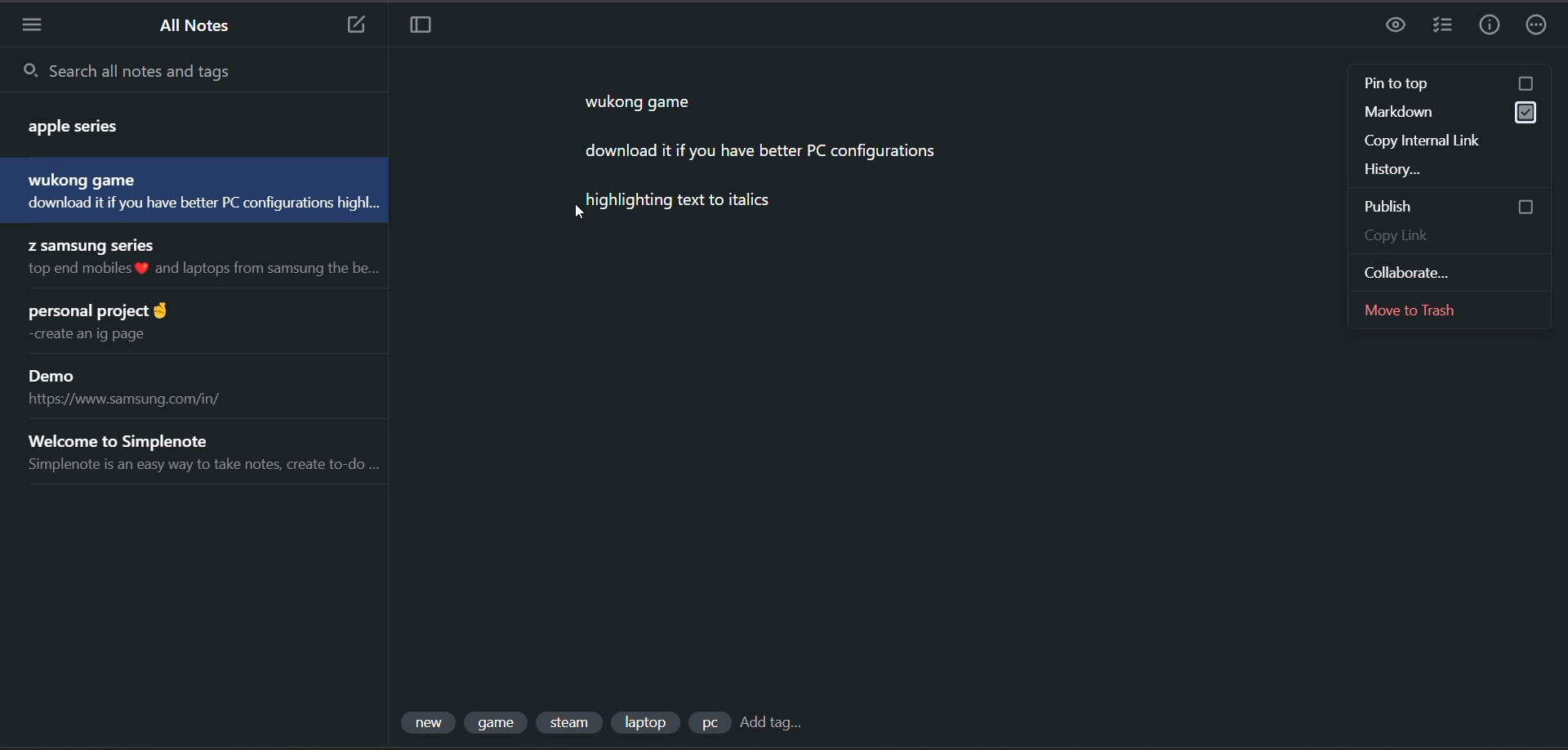 This screenshot has width=1568, height=750. I want to click on cursor, so click(584, 214).